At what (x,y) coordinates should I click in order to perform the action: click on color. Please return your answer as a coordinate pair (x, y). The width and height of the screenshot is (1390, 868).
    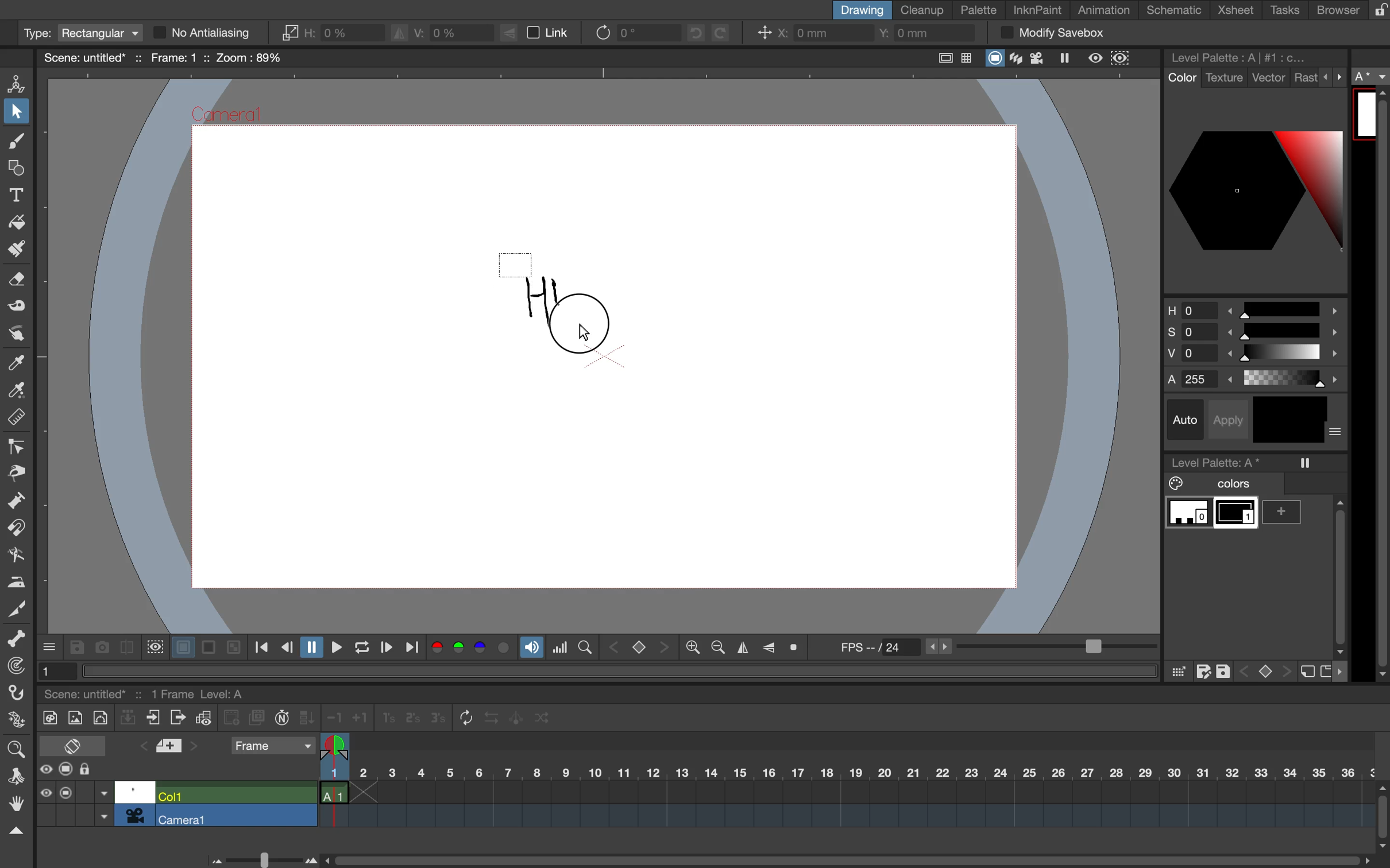
    Looking at the image, I should click on (1180, 78).